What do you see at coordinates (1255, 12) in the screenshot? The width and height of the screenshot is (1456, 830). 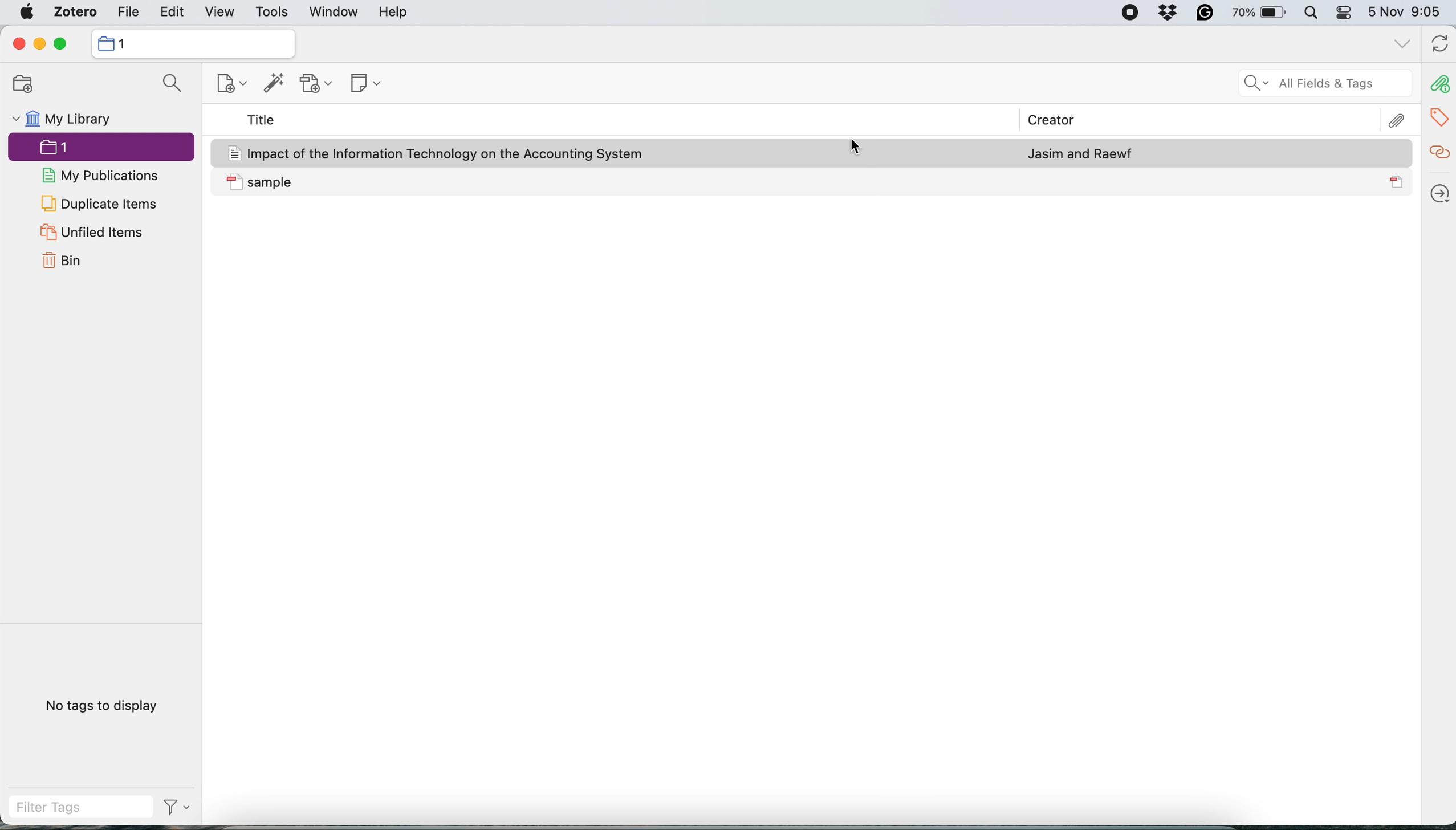 I see `battery` at bounding box center [1255, 12].